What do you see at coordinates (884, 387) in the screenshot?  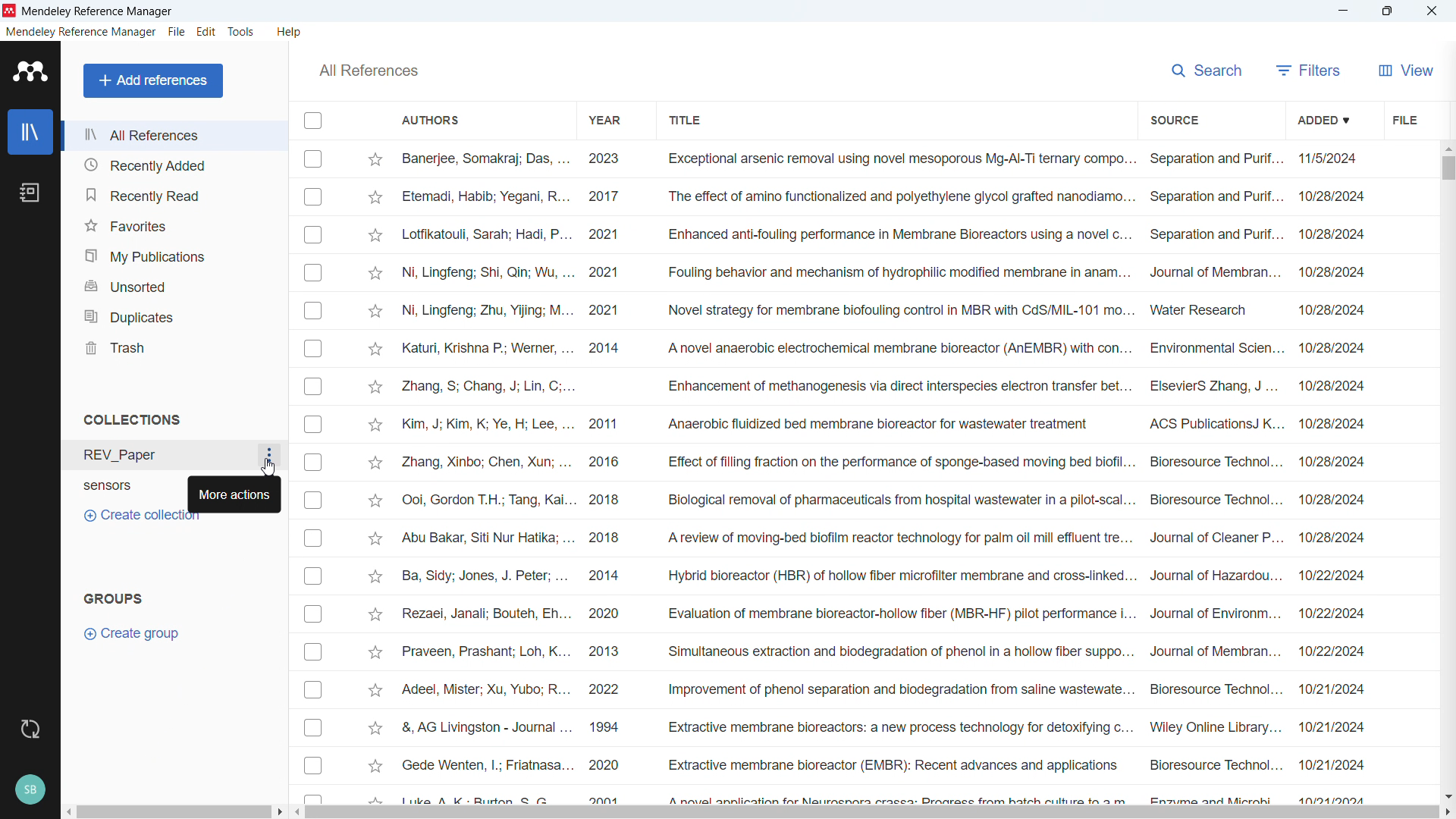 I see `Zhang, S; Chang, J; Lin, C;... Enhancement of methanogenesis via direct interspecies electron transfer bet... ElsevierS Zhang, J ... 10/28/2024` at bounding box center [884, 387].